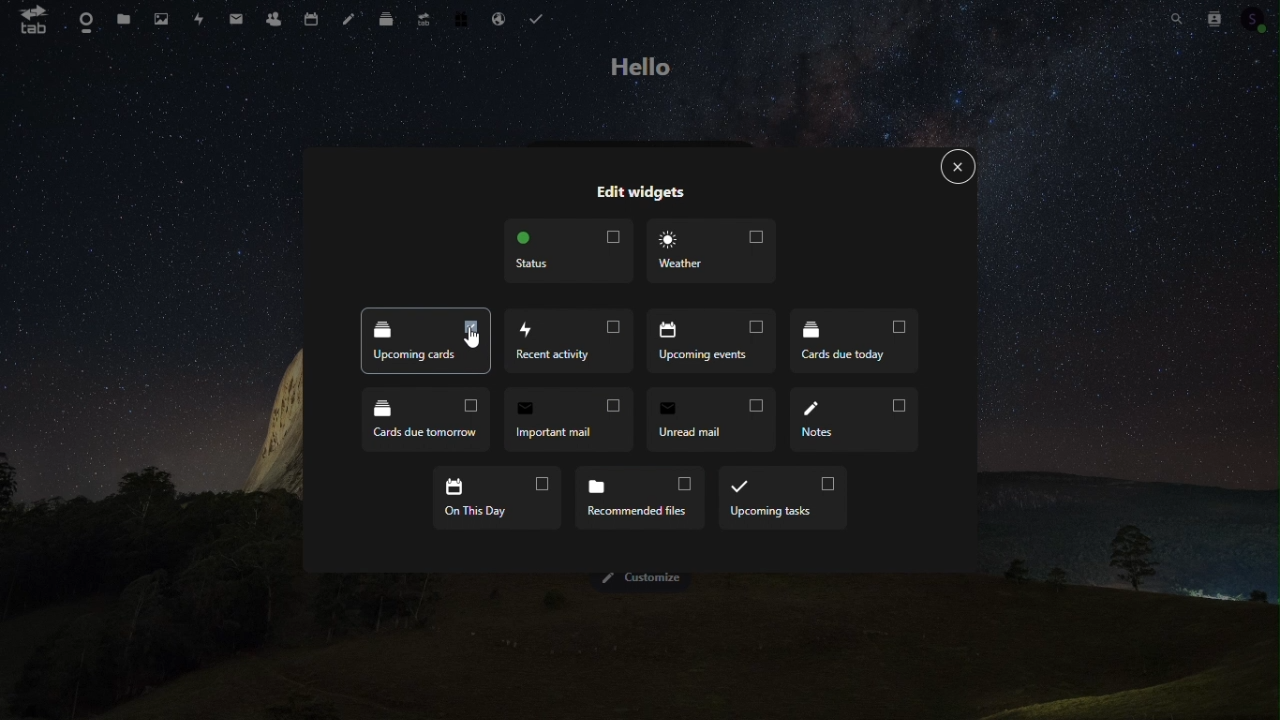 The height and width of the screenshot is (720, 1280). What do you see at coordinates (784, 500) in the screenshot?
I see `upcoming task` at bounding box center [784, 500].